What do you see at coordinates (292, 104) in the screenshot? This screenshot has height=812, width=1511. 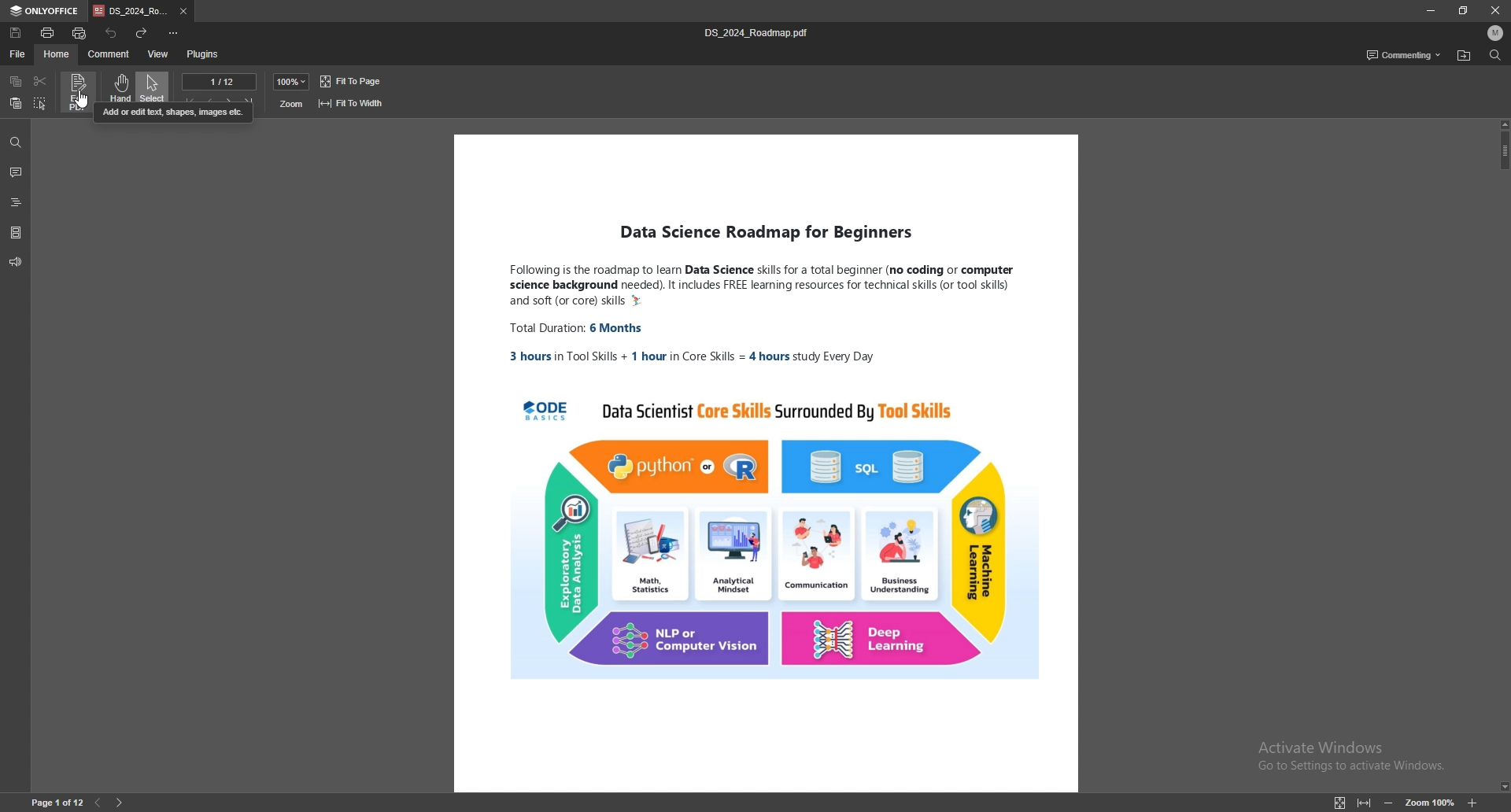 I see `zoom` at bounding box center [292, 104].